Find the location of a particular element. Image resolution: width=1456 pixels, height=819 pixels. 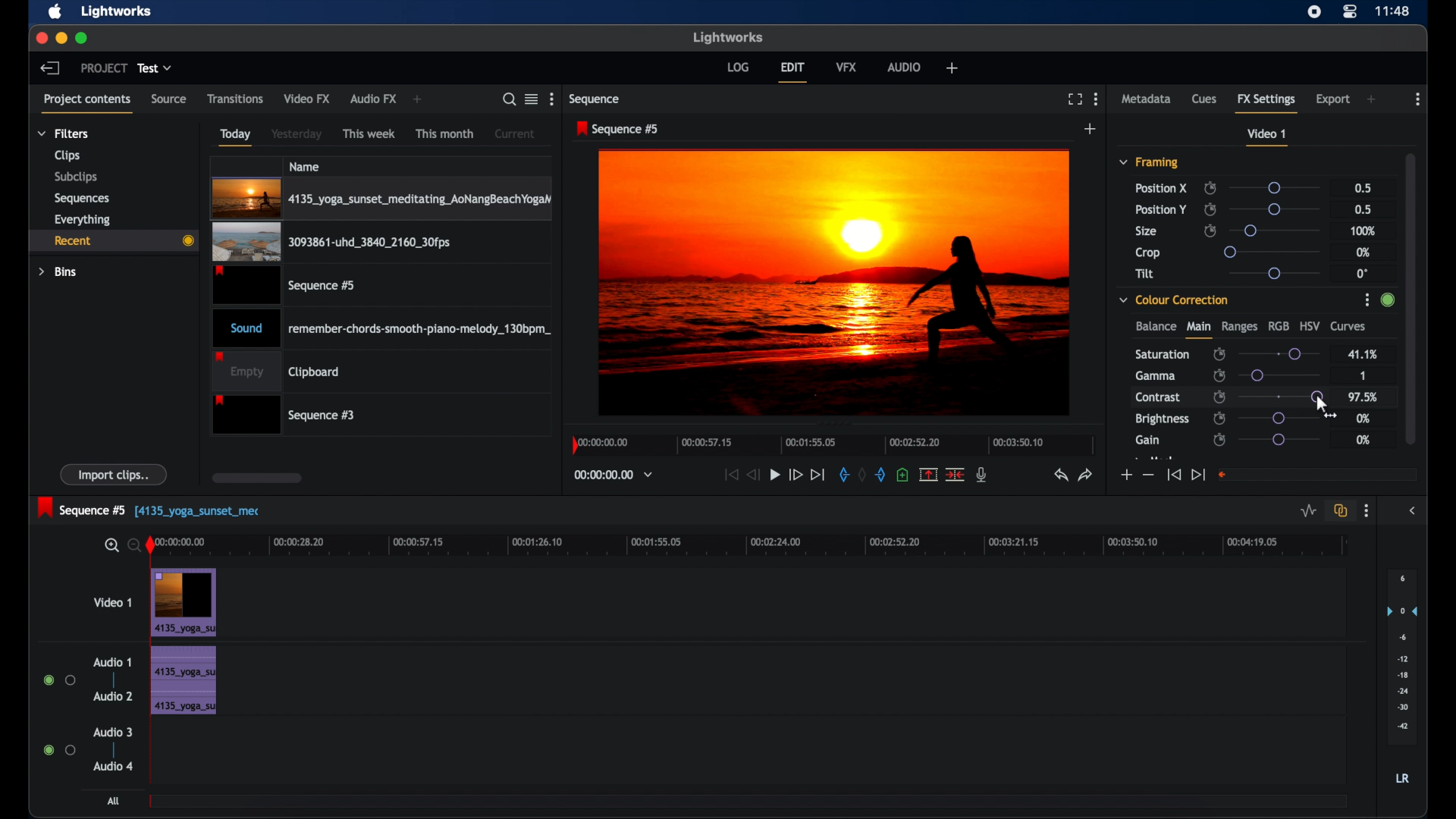

redo is located at coordinates (1086, 475).